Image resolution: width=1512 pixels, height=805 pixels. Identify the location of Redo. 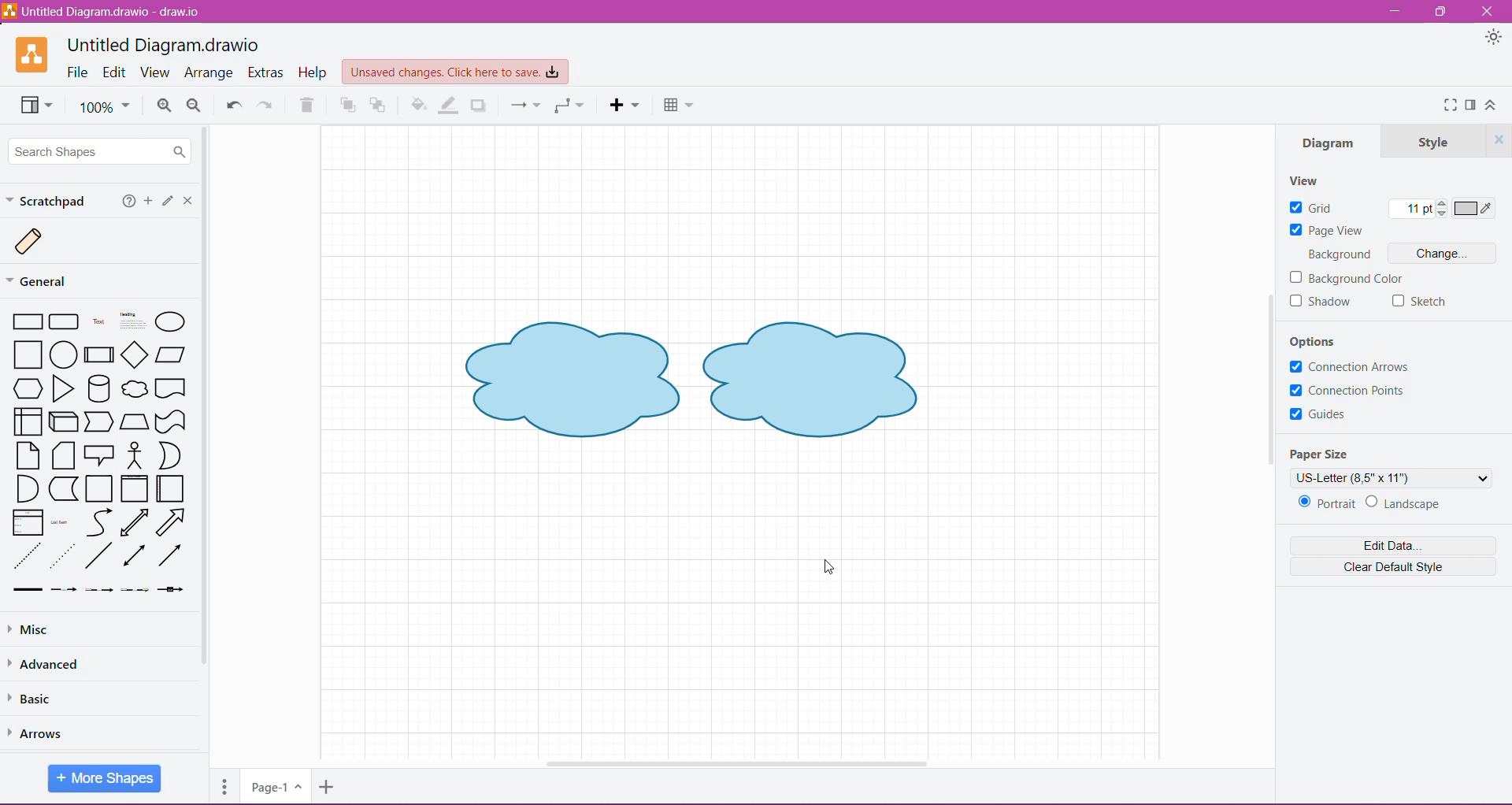
(269, 106).